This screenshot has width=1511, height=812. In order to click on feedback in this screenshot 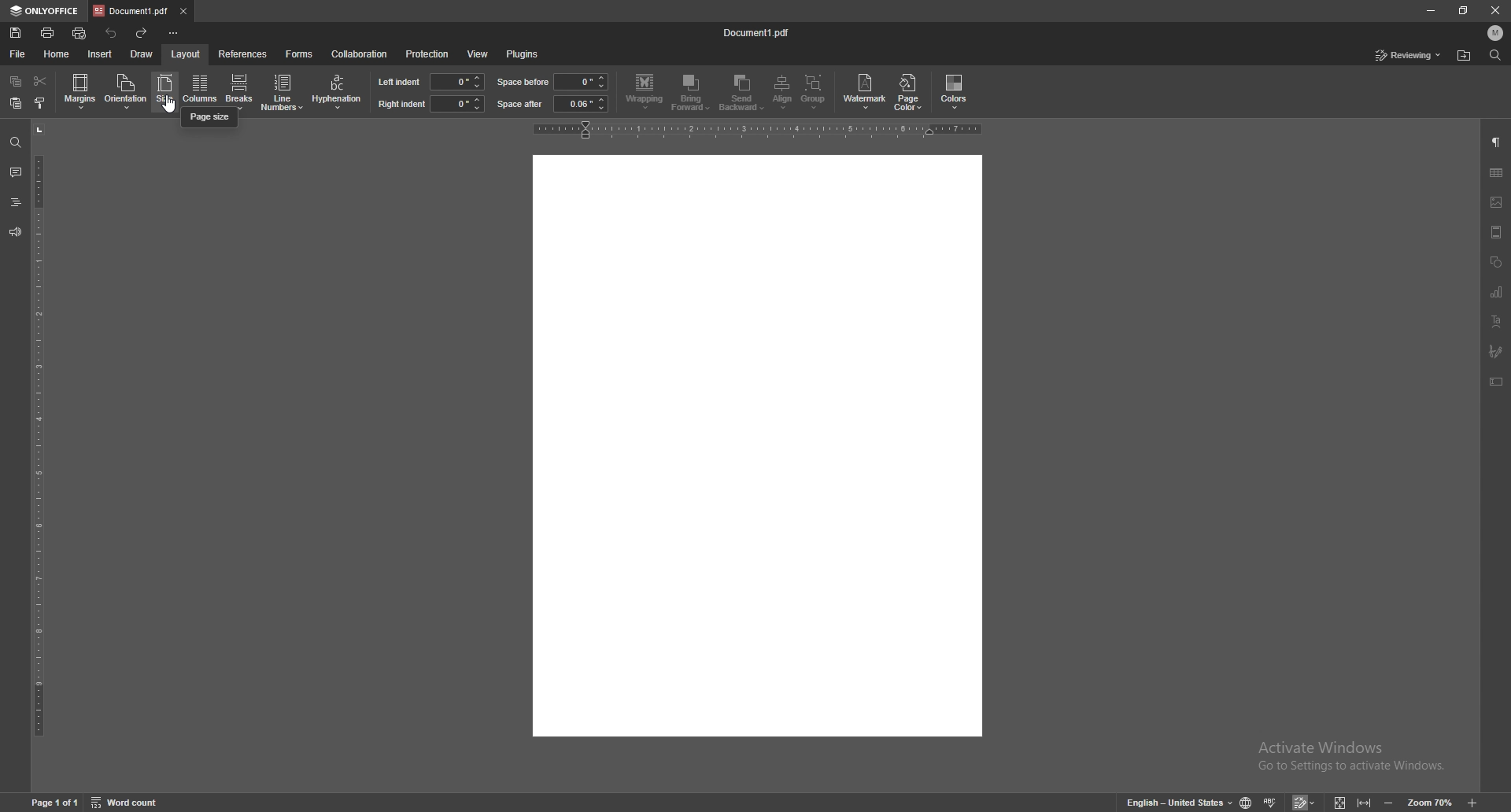, I will do `click(15, 233)`.